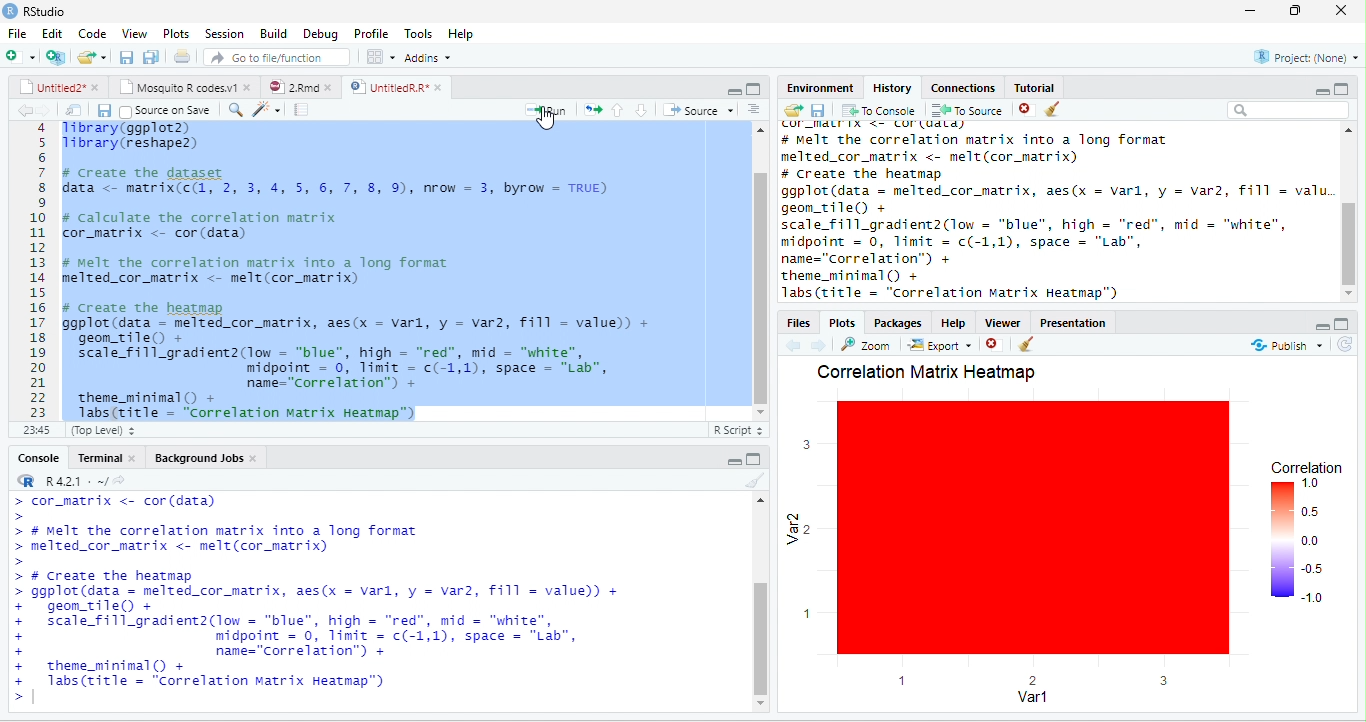 The height and width of the screenshot is (722, 1366). Describe the element at coordinates (98, 110) in the screenshot. I see `save` at that location.